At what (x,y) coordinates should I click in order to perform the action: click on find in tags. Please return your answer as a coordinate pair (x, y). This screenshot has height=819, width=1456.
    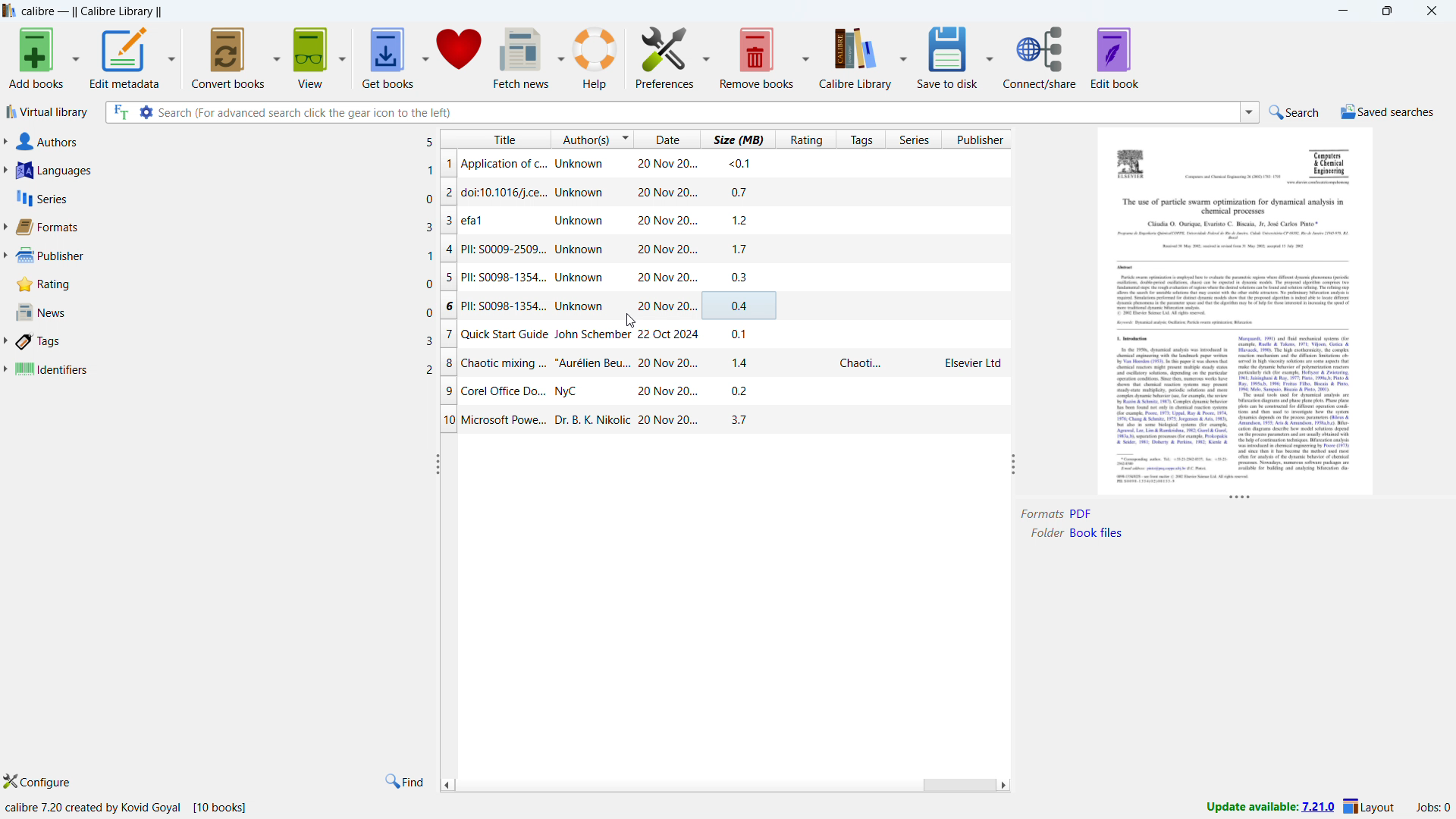
    Looking at the image, I should click on (404, 782).